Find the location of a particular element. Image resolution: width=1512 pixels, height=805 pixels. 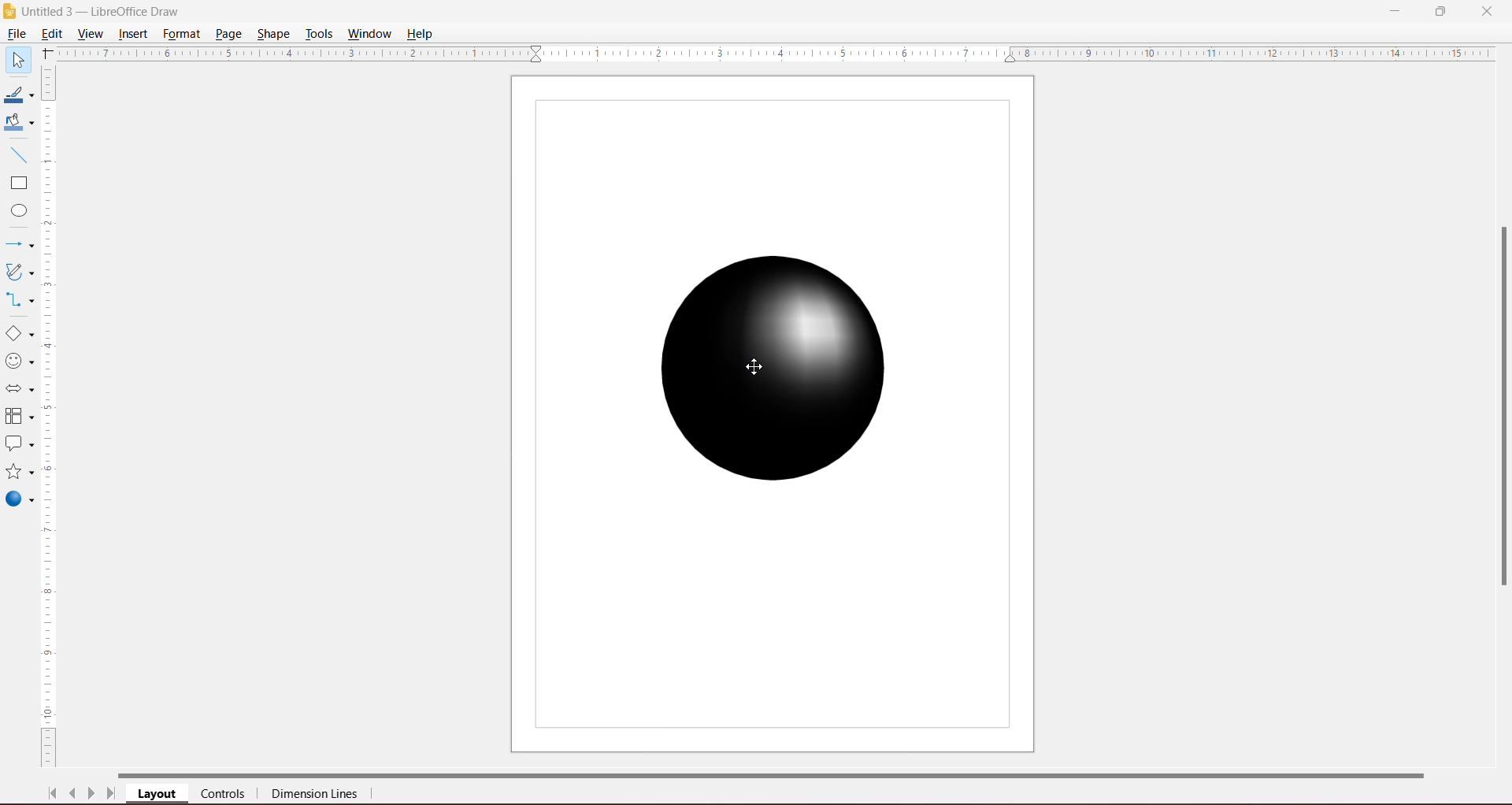

Connectors is located at coordinates (18, 301).